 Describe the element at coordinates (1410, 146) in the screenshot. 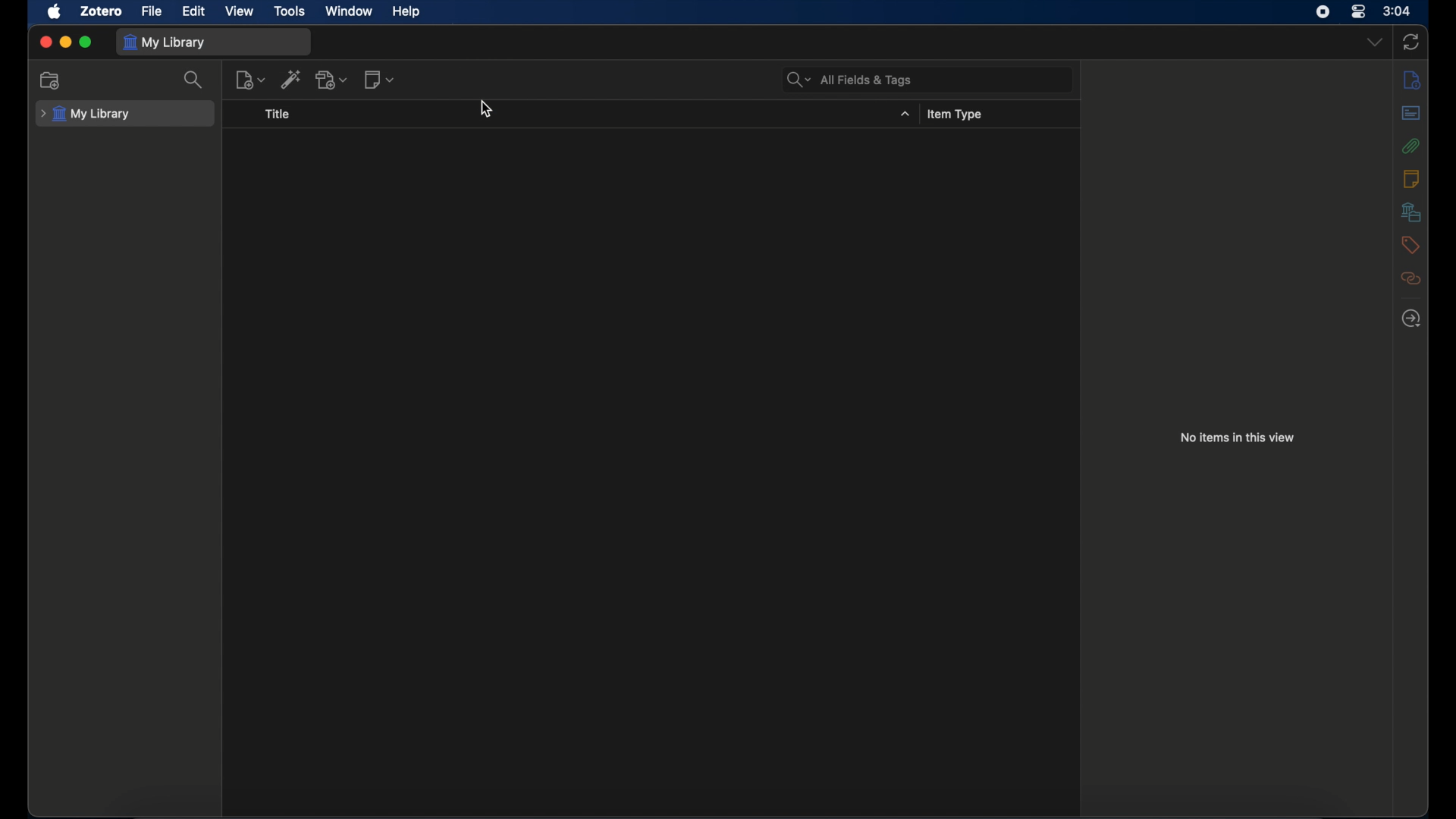

I see `attachments` at that location.